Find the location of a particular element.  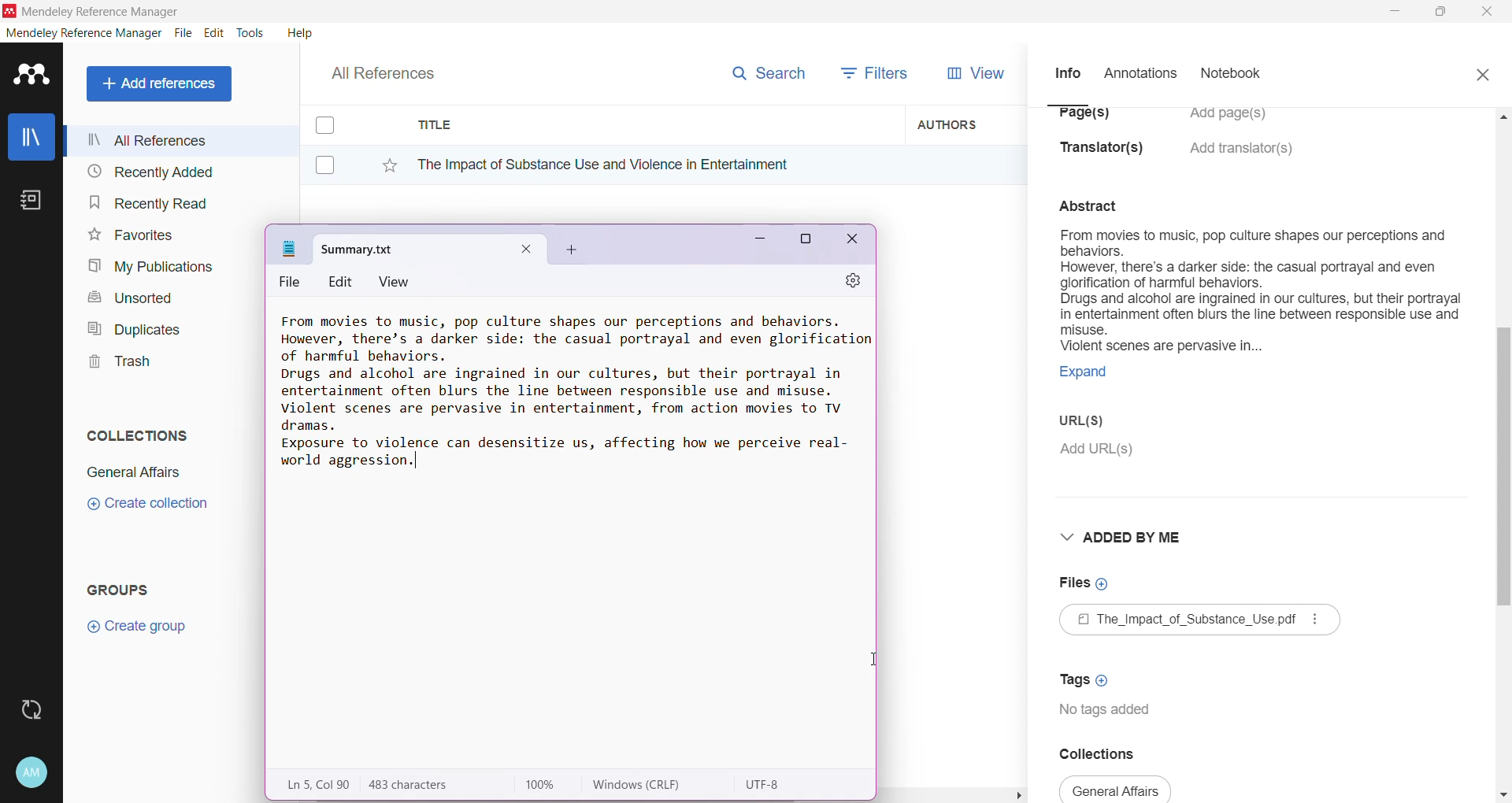

Duplicates is located at coordinates (129, 327).